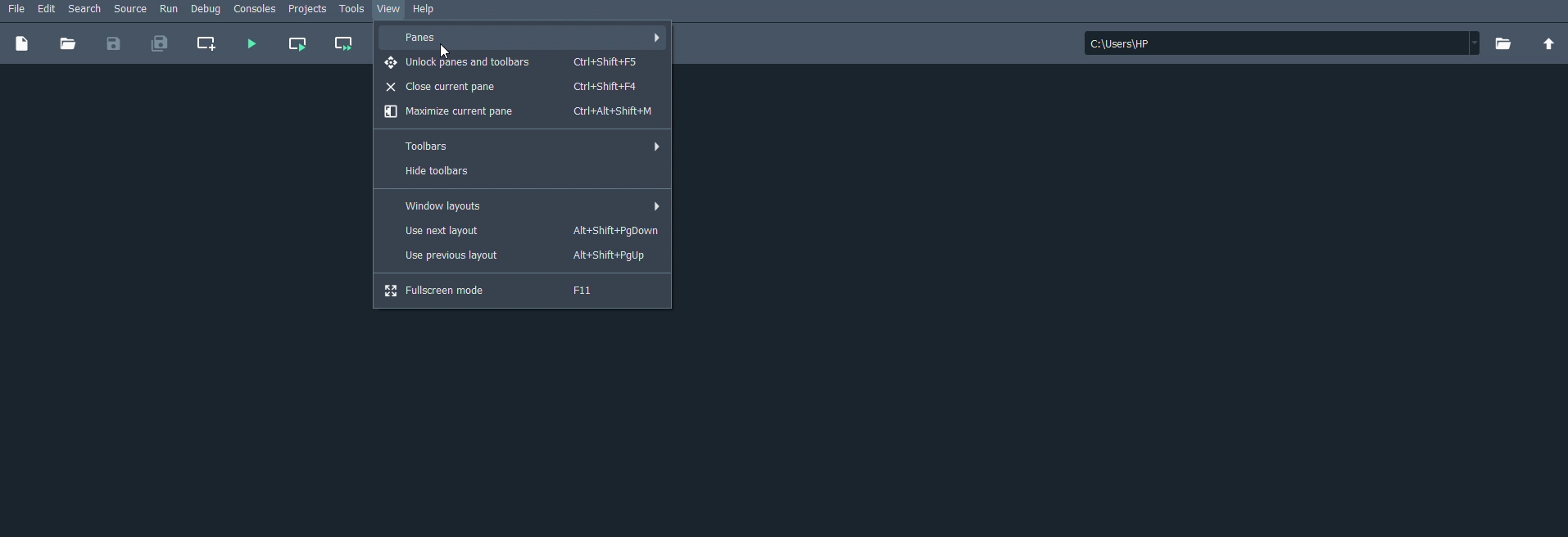  Describe the element at coordinates (516, 87) in the screenshot. I see `Close current pane` at that location.